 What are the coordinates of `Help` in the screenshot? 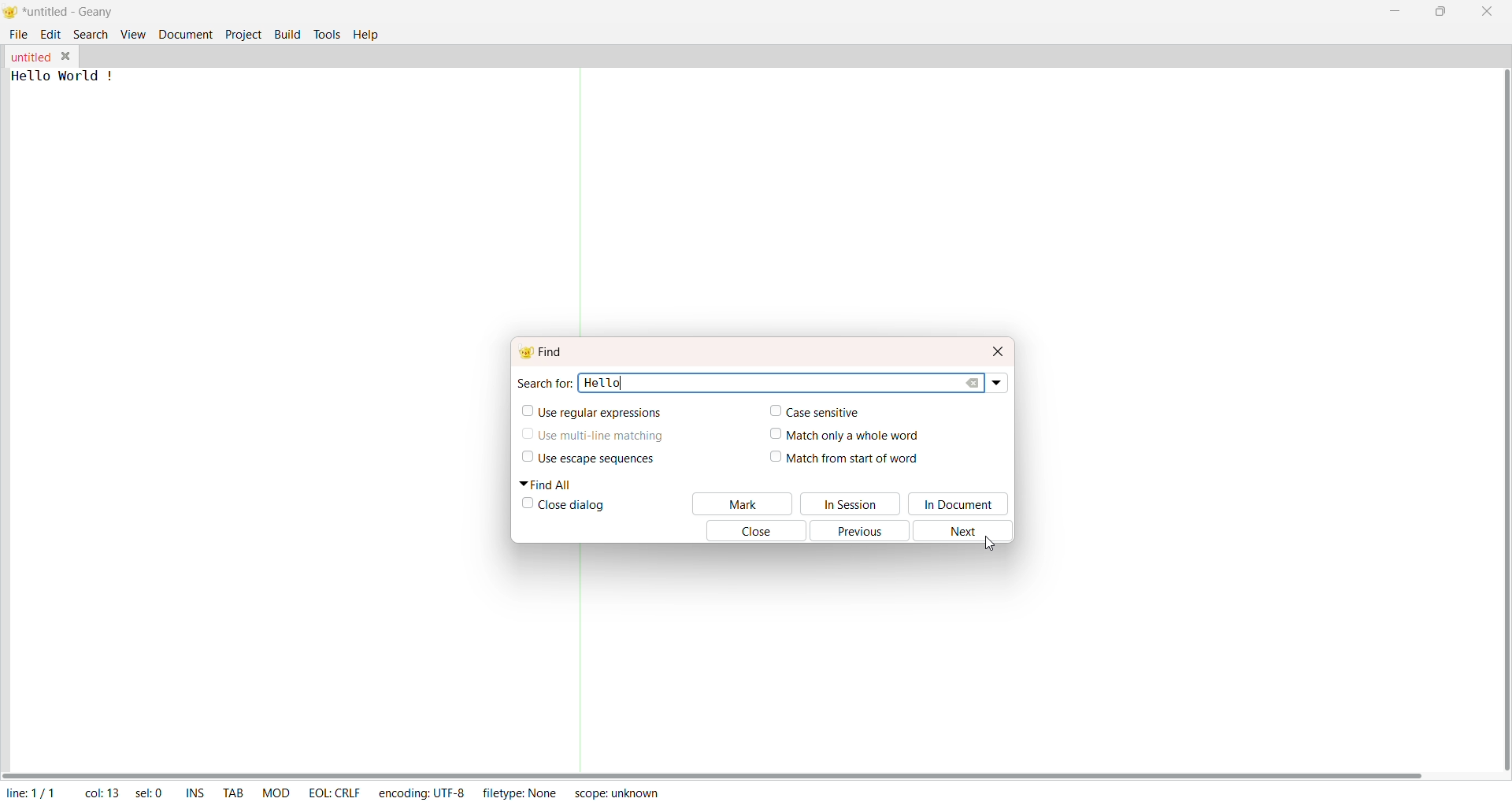 It's located at (368, 34).